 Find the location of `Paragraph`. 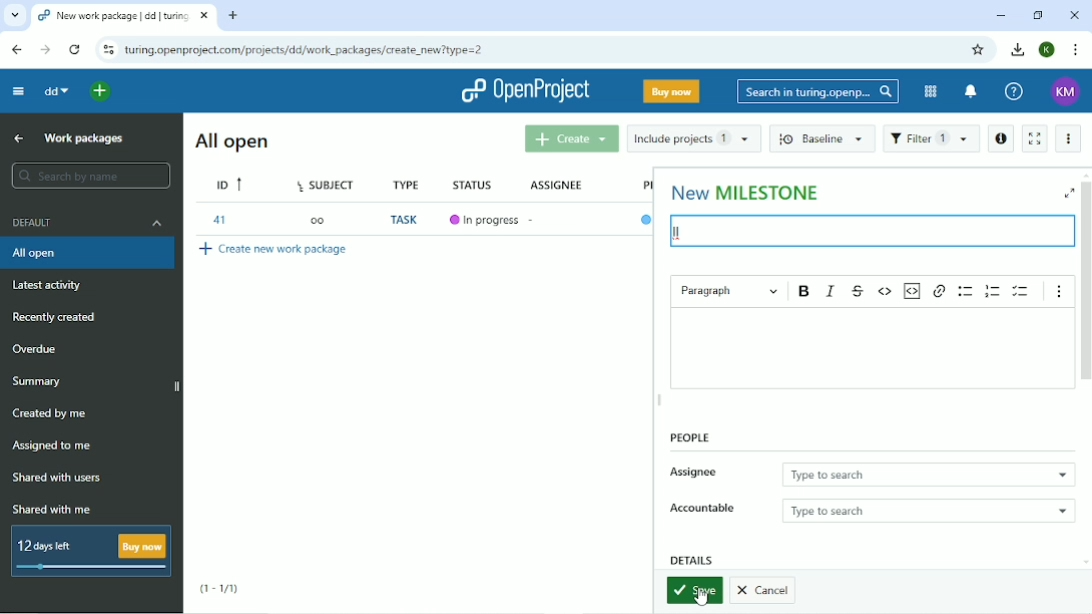

Paragraph is located at coordinates (729, 289).